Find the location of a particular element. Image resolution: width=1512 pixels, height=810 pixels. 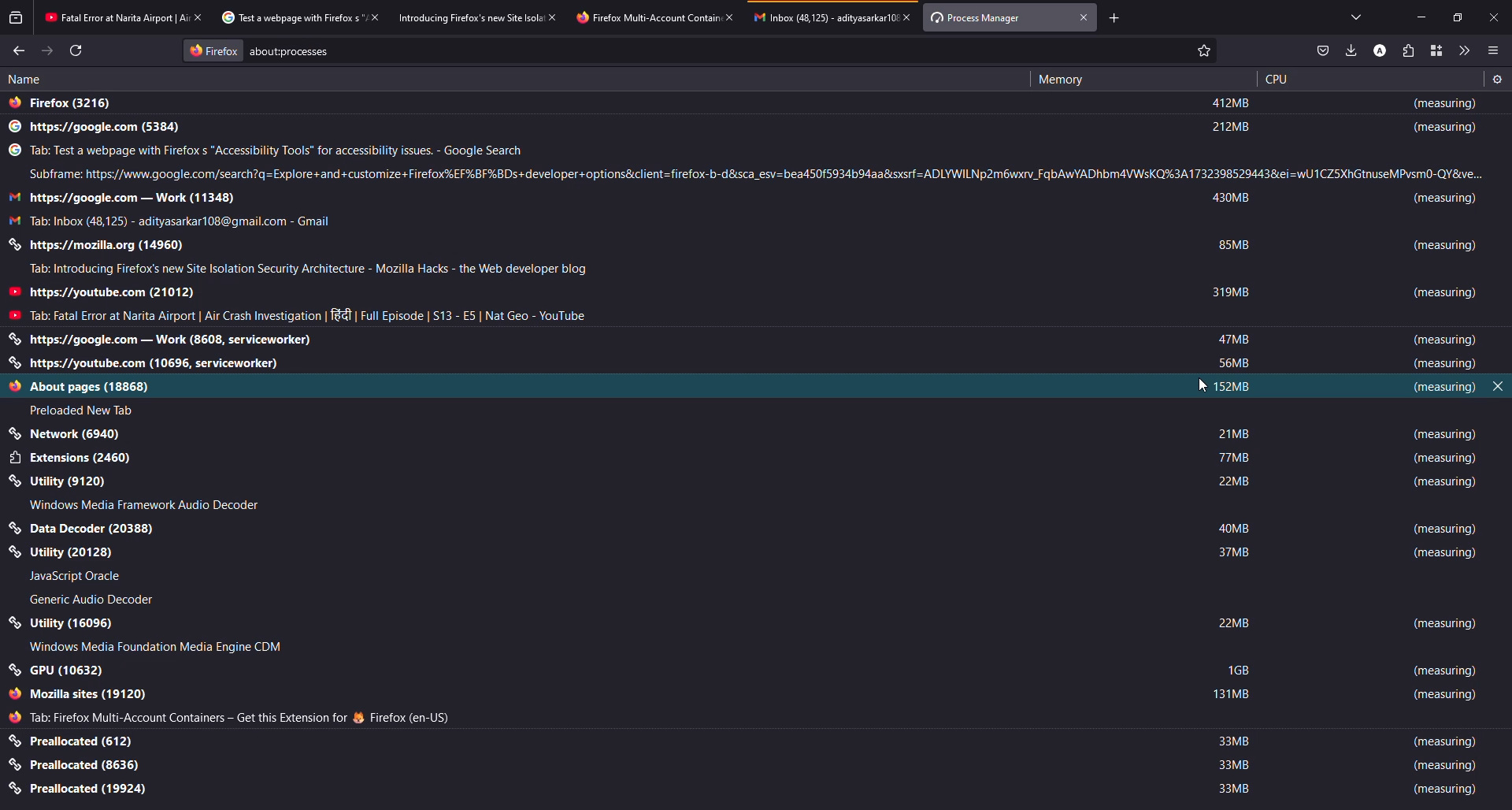

33 mb is located at coordinates (1232, 789).